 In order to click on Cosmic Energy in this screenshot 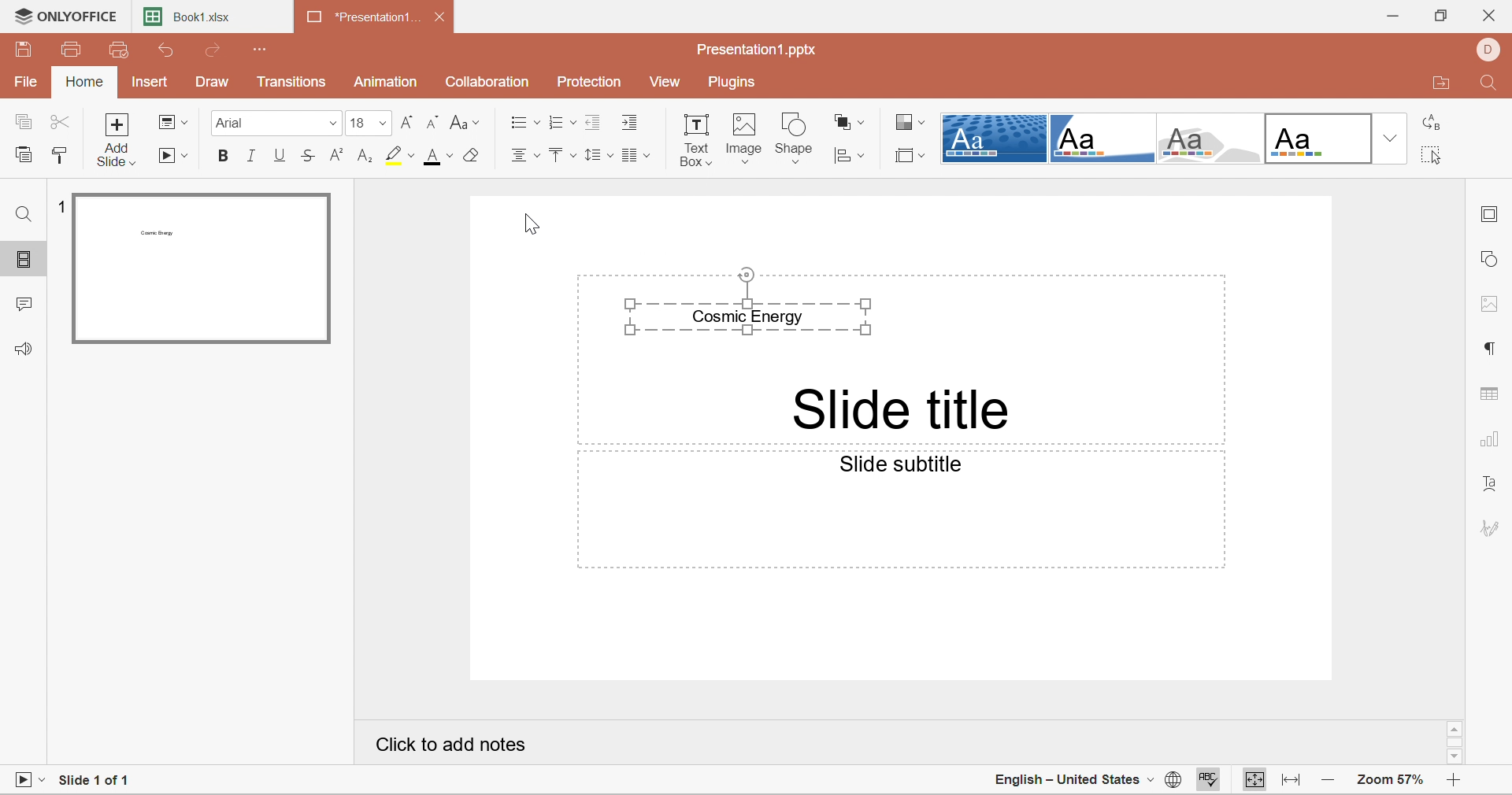, I will do `click(760, 304)`.